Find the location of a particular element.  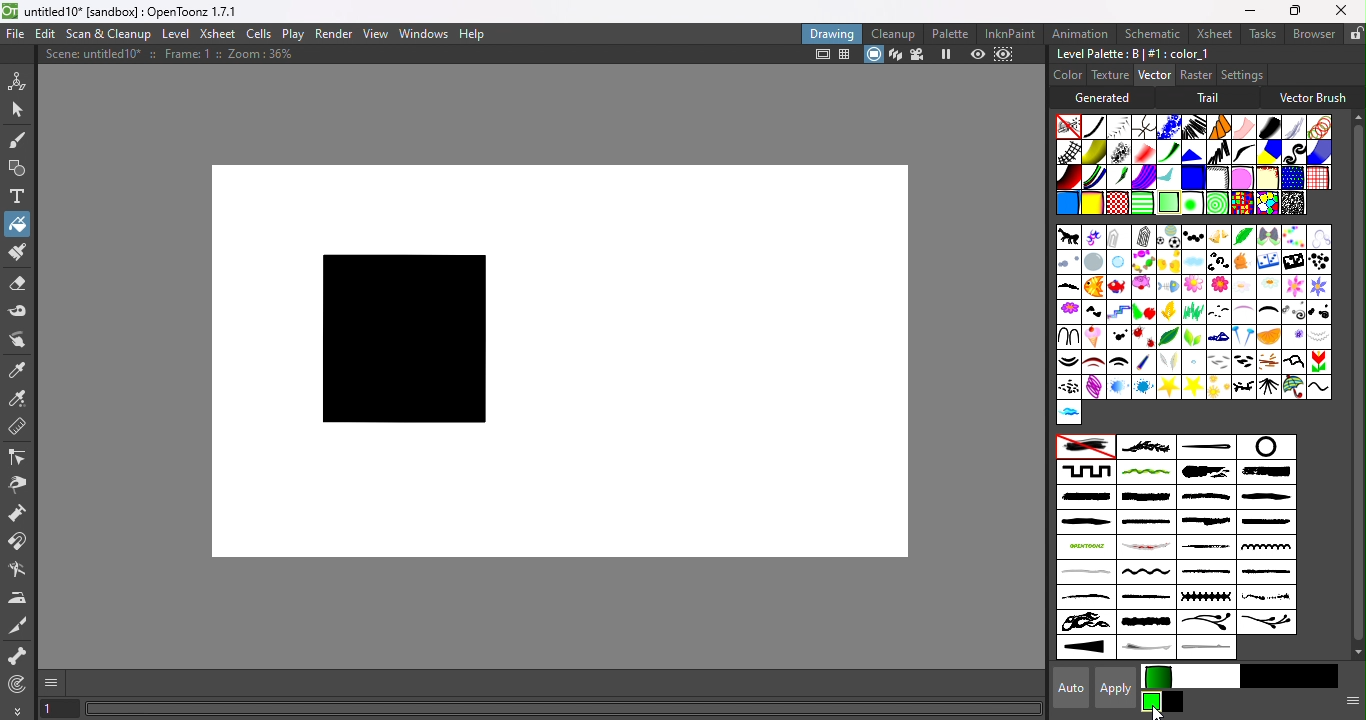

Level Palette is located at coordinates (1132, 54).